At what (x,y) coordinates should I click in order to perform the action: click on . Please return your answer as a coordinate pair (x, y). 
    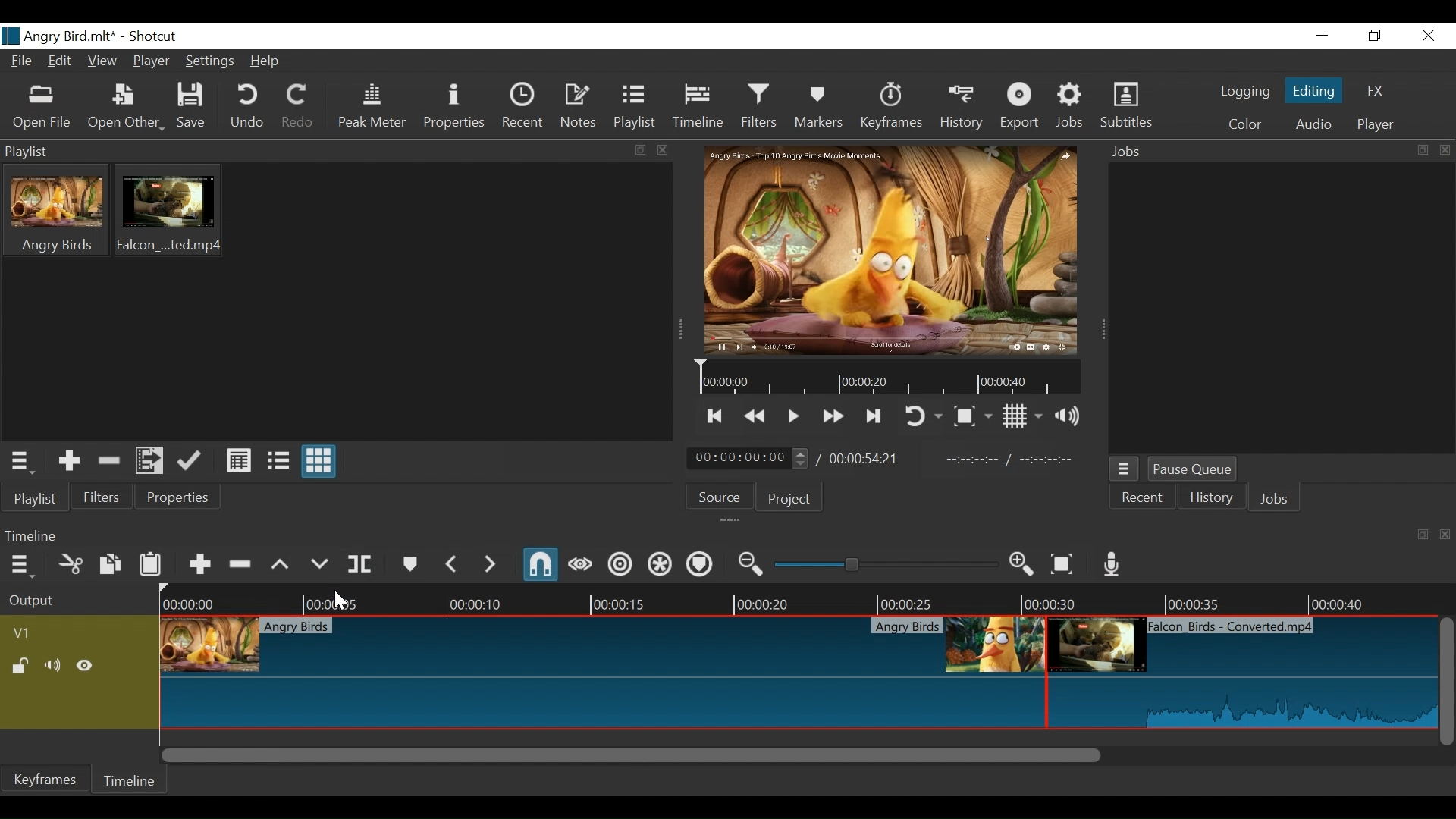
    Looking at the image, I should click on (491, 563).